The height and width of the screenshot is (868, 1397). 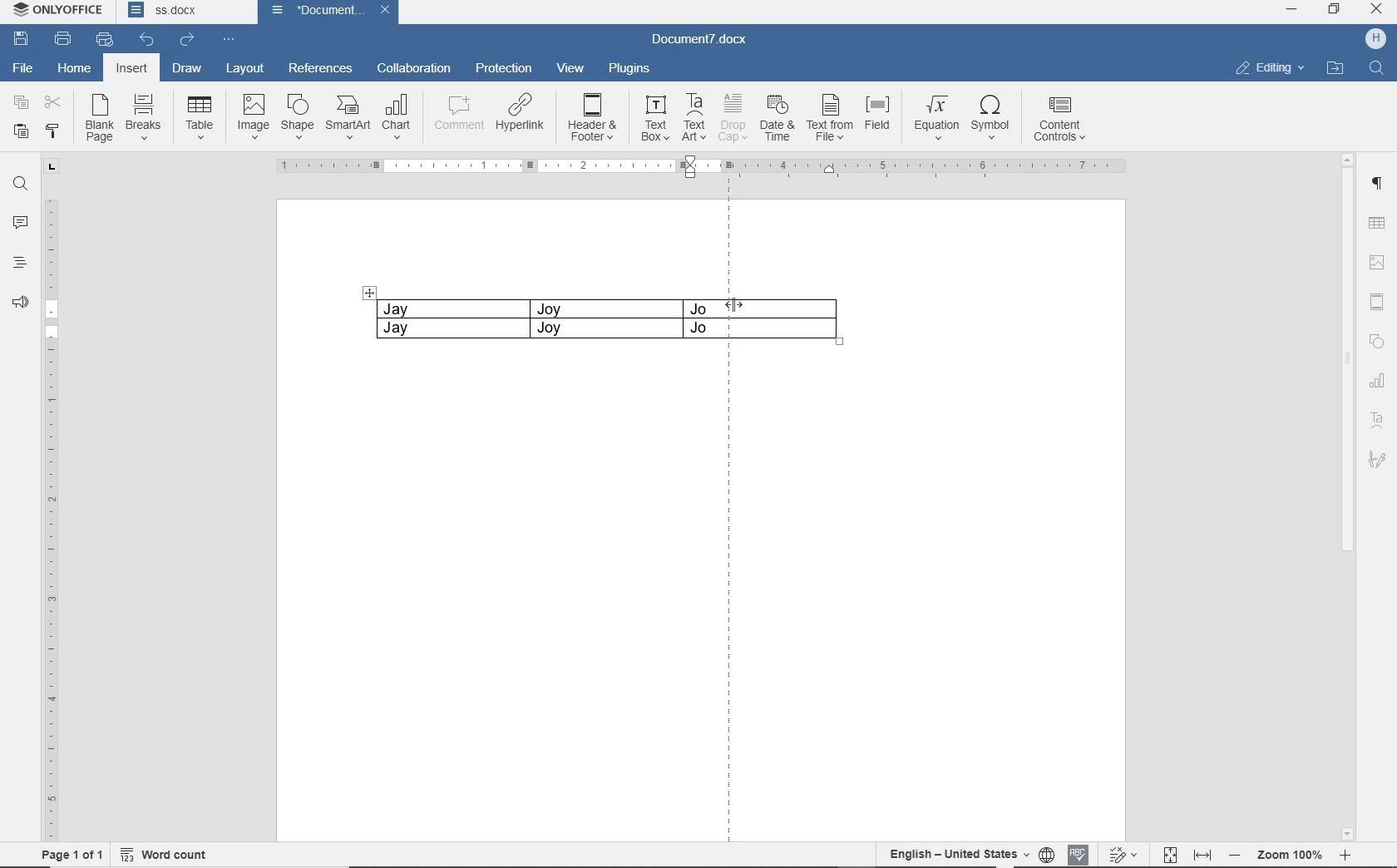 I want to click on TEXT LANGUAGE, so click(x=956, y=854).